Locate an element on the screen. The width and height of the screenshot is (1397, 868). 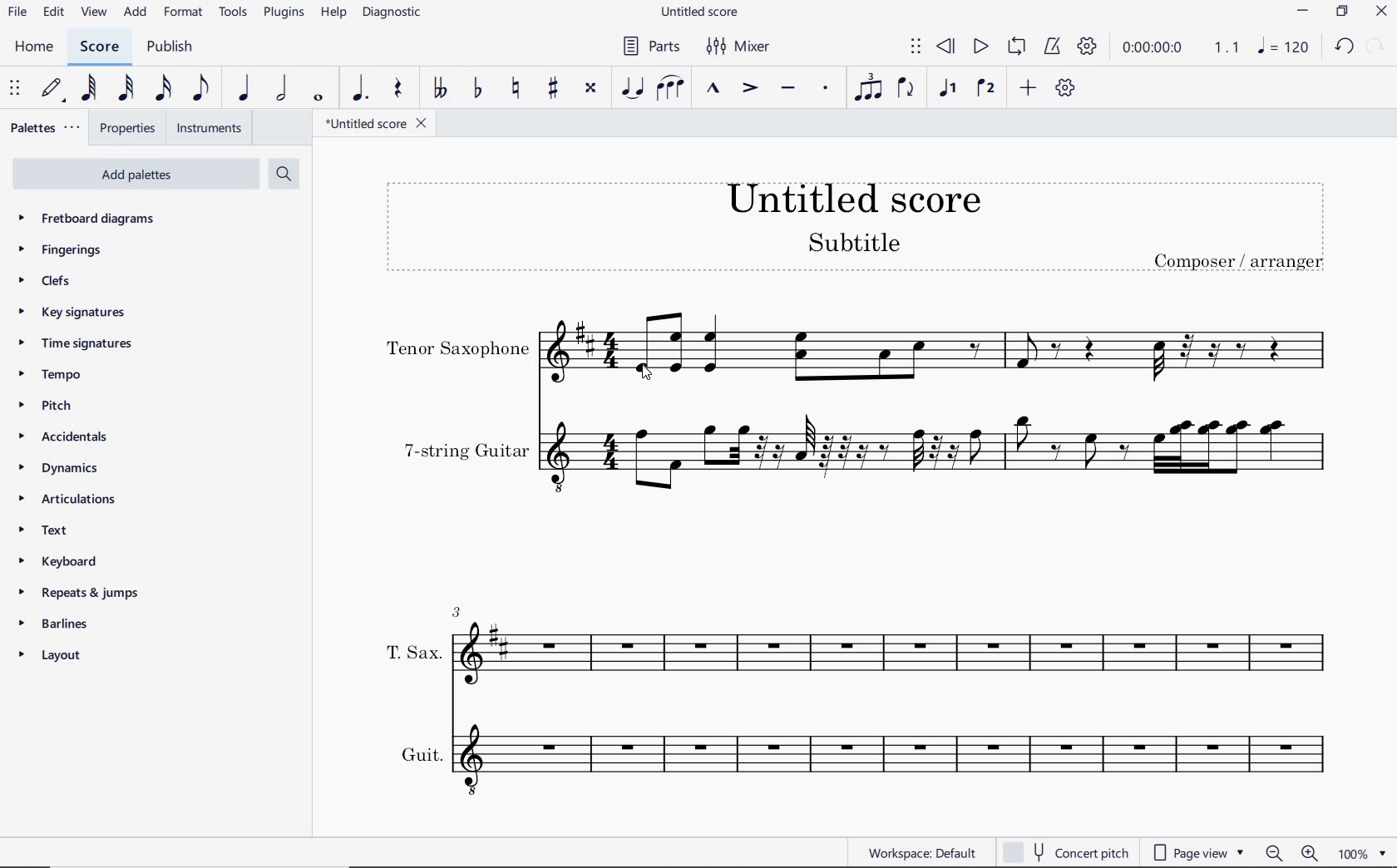
WHOLE NOTE is located at coordinates (318, 100).